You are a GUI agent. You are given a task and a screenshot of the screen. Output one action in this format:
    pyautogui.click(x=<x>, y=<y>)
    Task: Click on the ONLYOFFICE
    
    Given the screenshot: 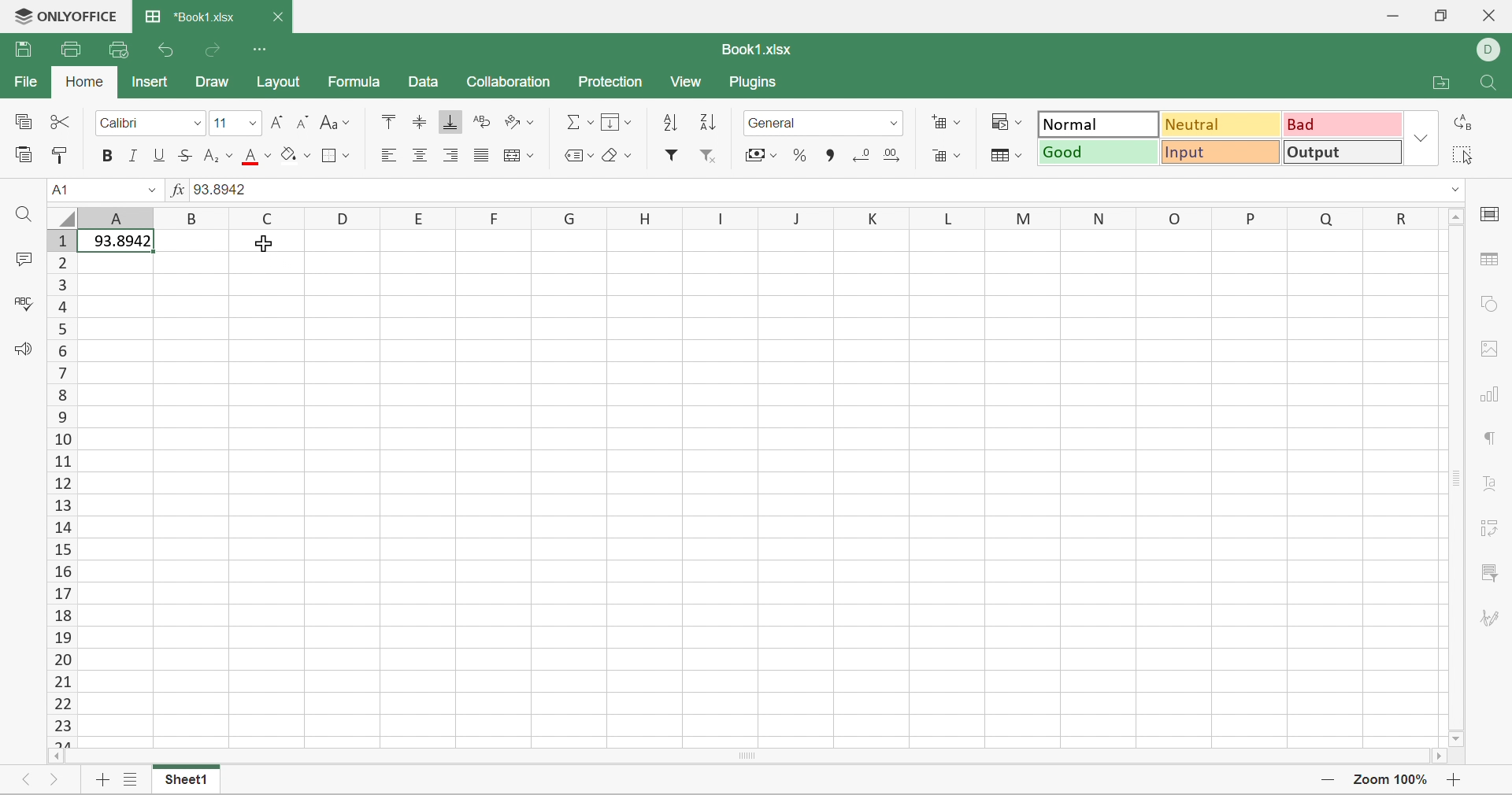 What is the action you would take?
    pyautogui.click(x=62, y=16)
    